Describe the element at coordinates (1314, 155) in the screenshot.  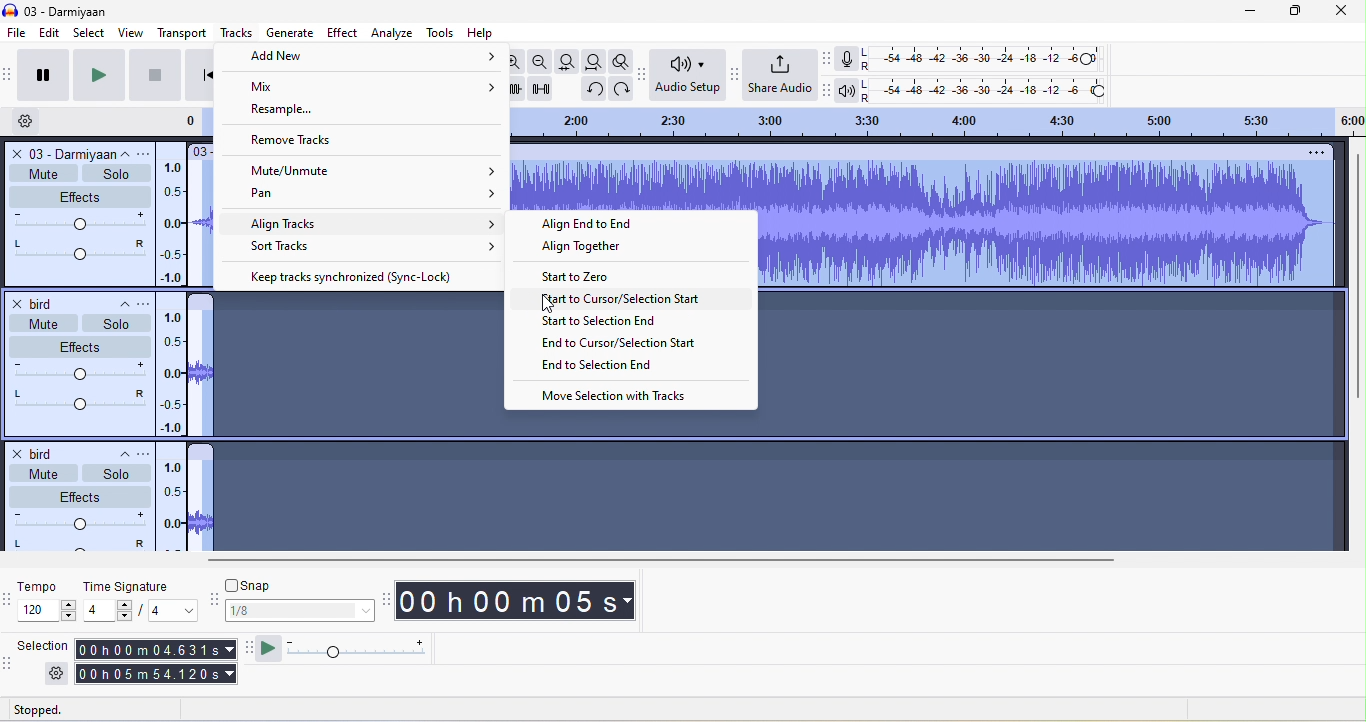
I see `option` at that location.